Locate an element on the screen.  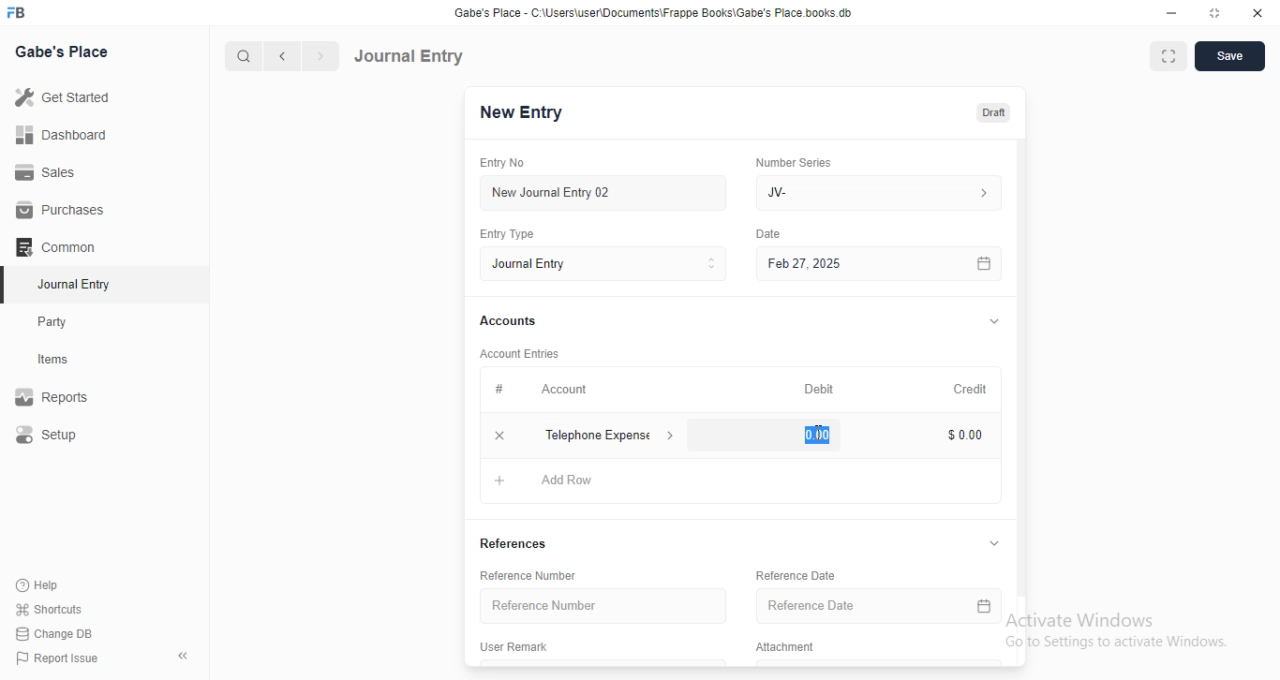
Date is located at coordinates (772, 232).